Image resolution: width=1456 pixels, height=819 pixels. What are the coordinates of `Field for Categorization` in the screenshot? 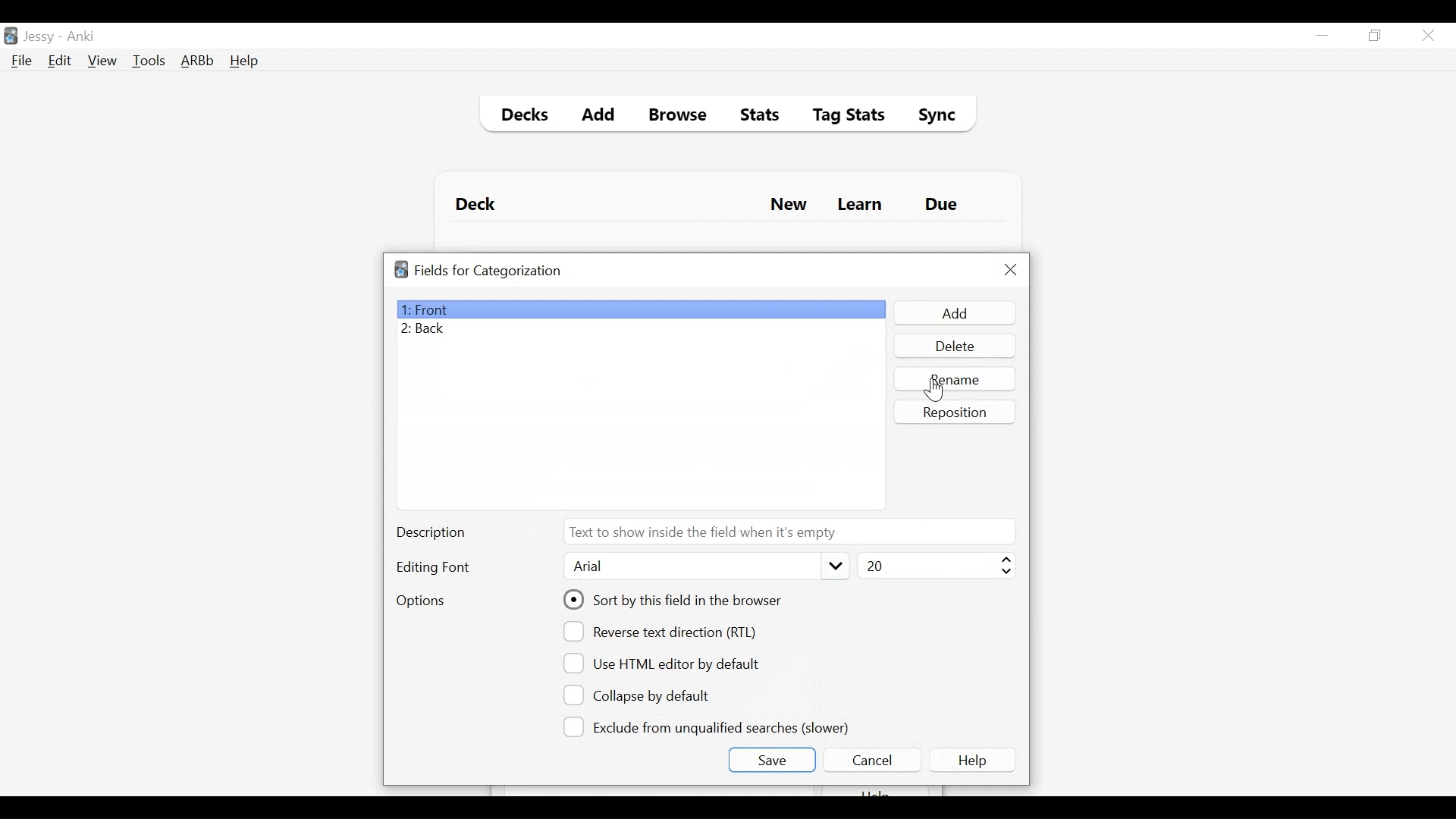 It's located at (488, 271).